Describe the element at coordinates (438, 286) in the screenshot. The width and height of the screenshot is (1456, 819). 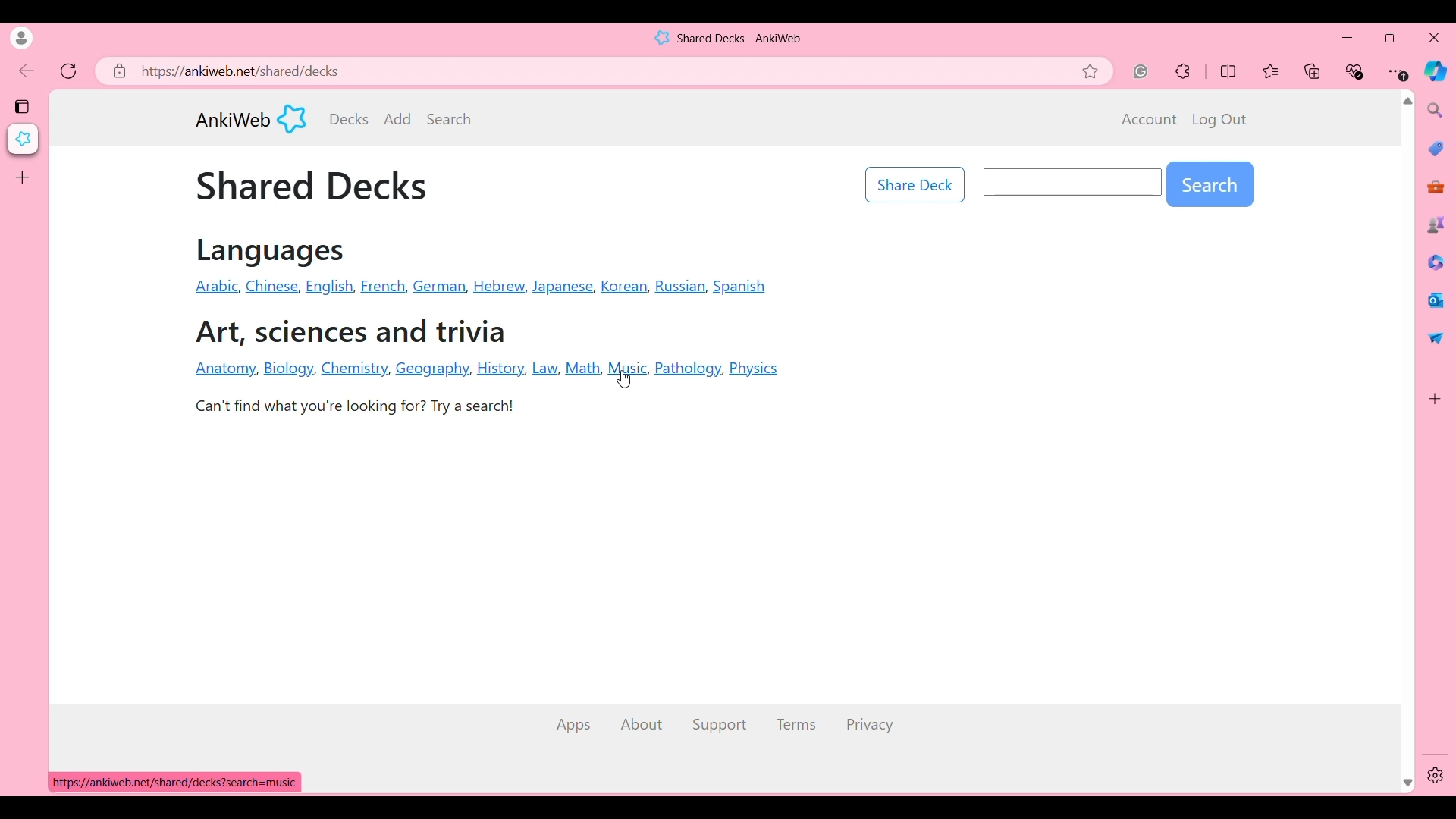
I see `German` at that location.